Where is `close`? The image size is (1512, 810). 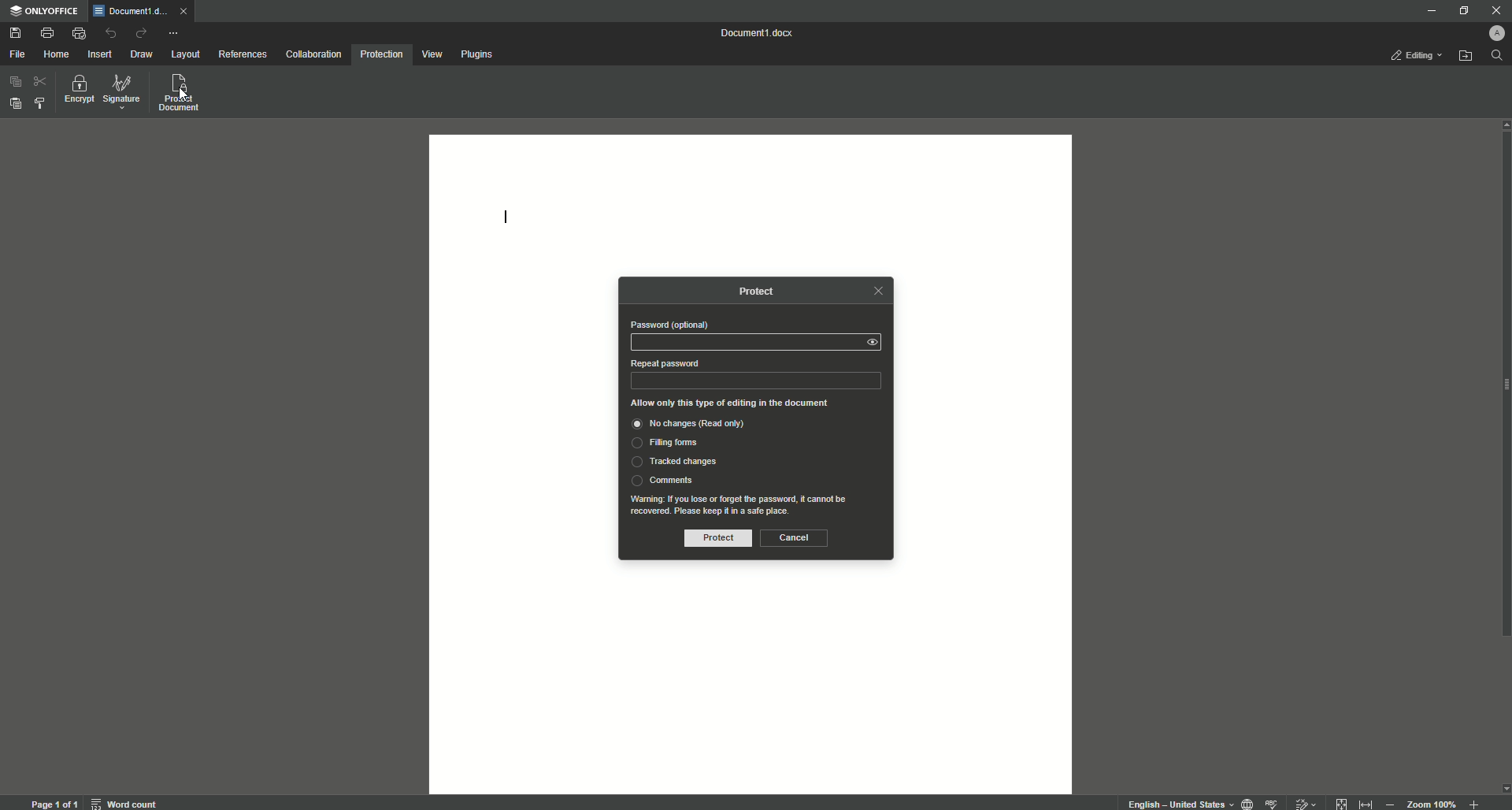 close is located at coordinates (187, 14).